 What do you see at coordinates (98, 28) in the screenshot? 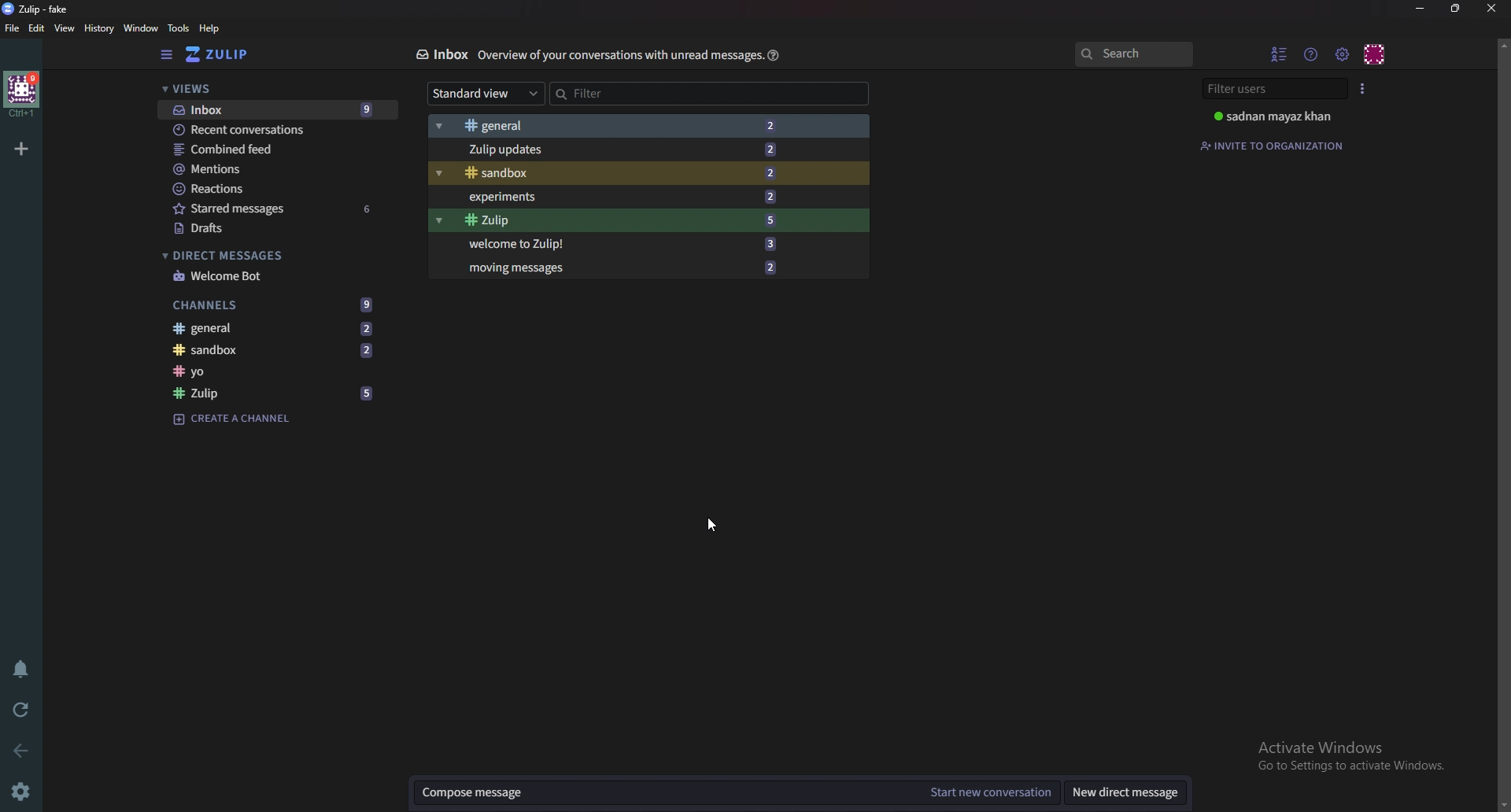
I see `history` at bounding box center [98, 28].